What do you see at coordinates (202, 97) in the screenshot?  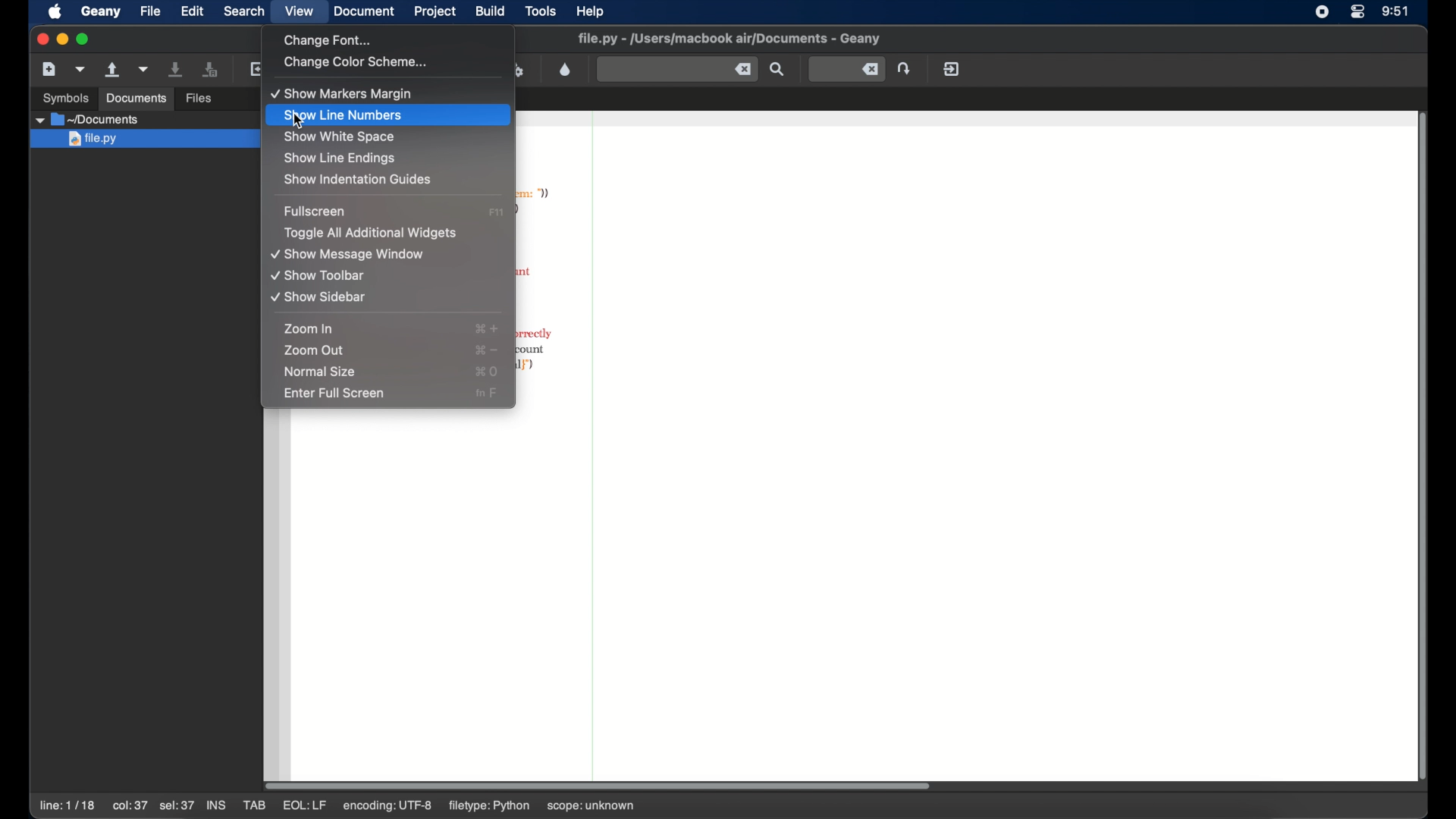 I see `files ` at bounding box center [202, 97].